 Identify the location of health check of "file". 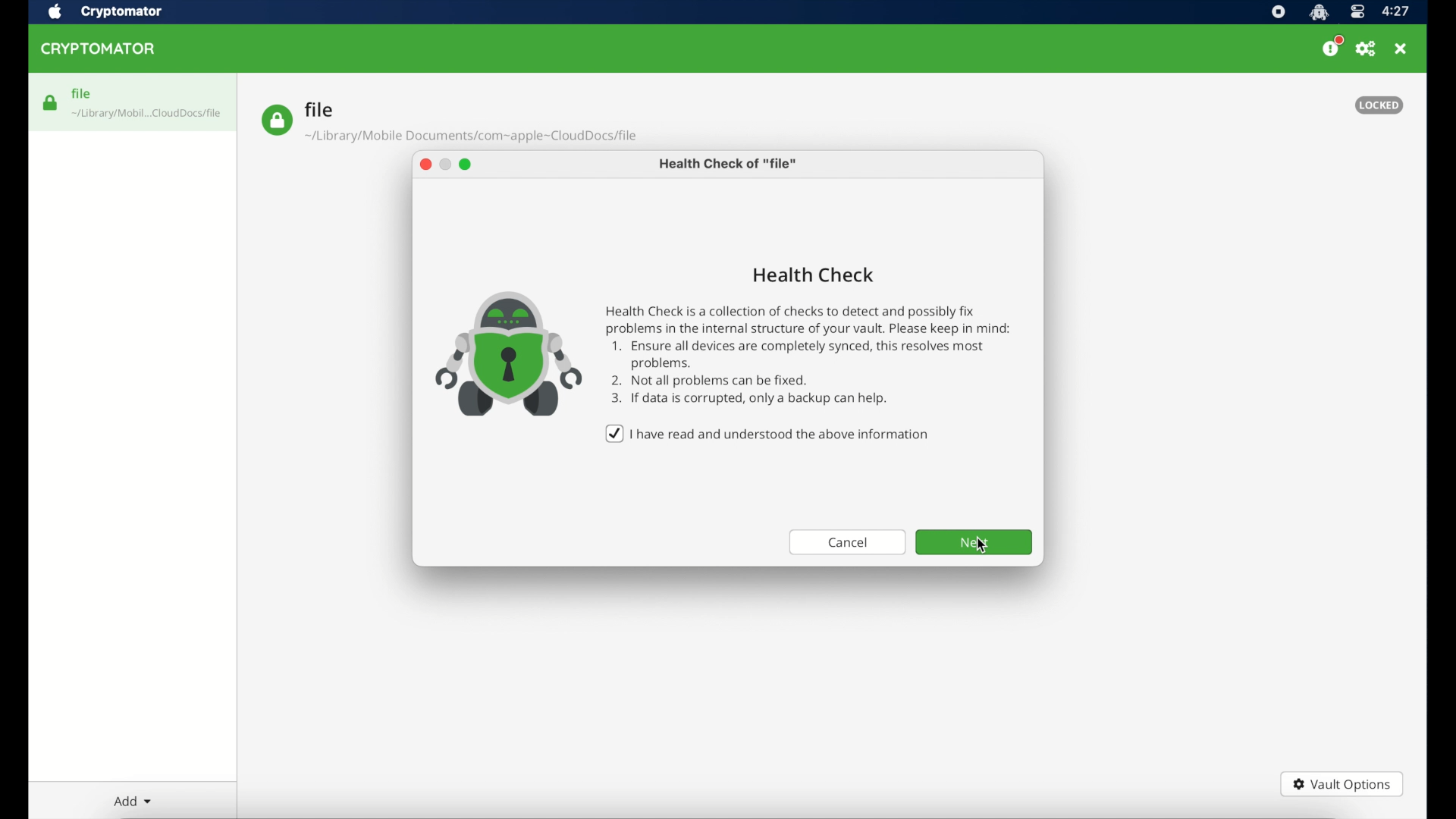
(729, 167).